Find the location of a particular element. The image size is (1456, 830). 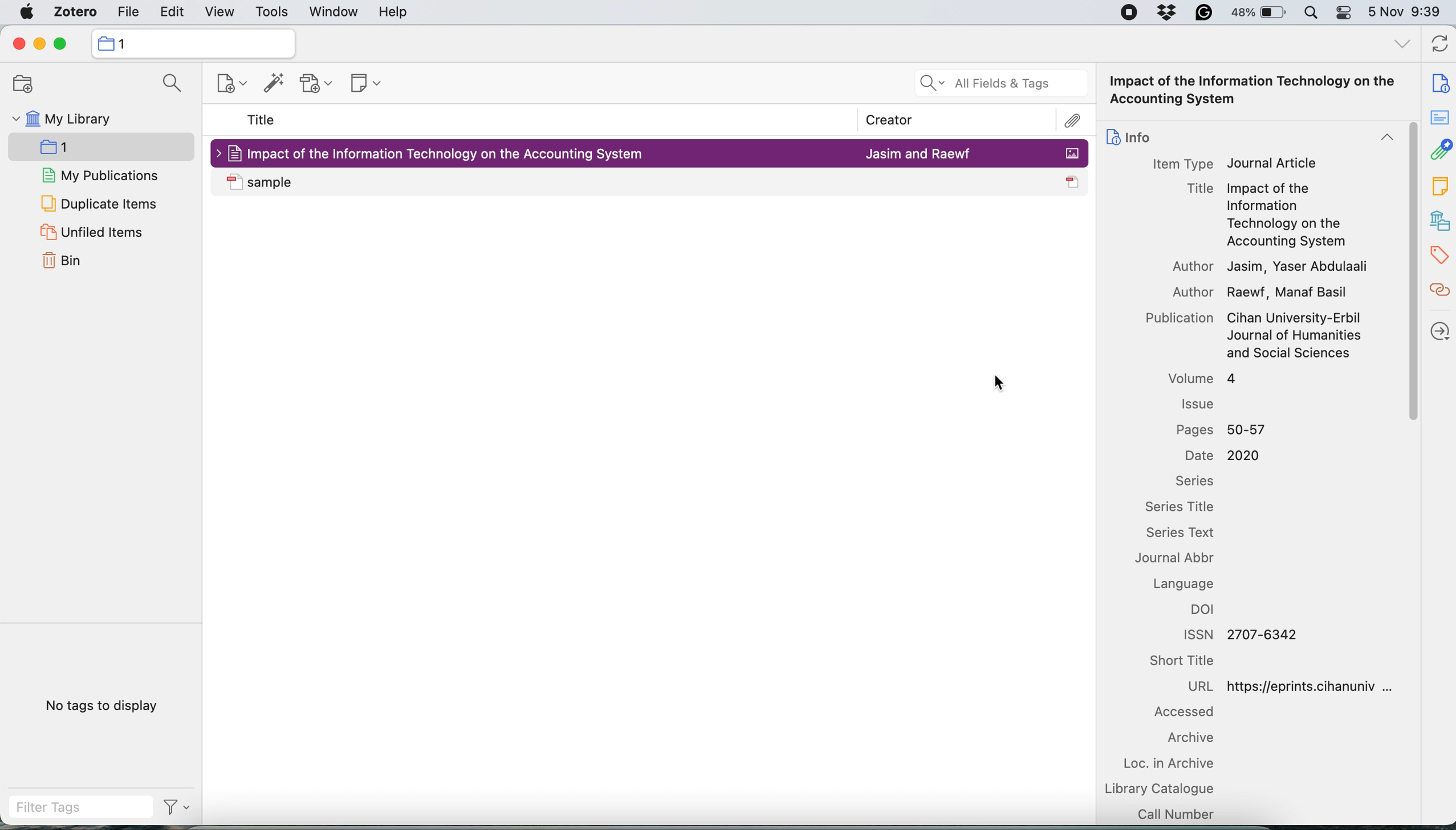

journal abbr is located at coordinates (1177, 558).